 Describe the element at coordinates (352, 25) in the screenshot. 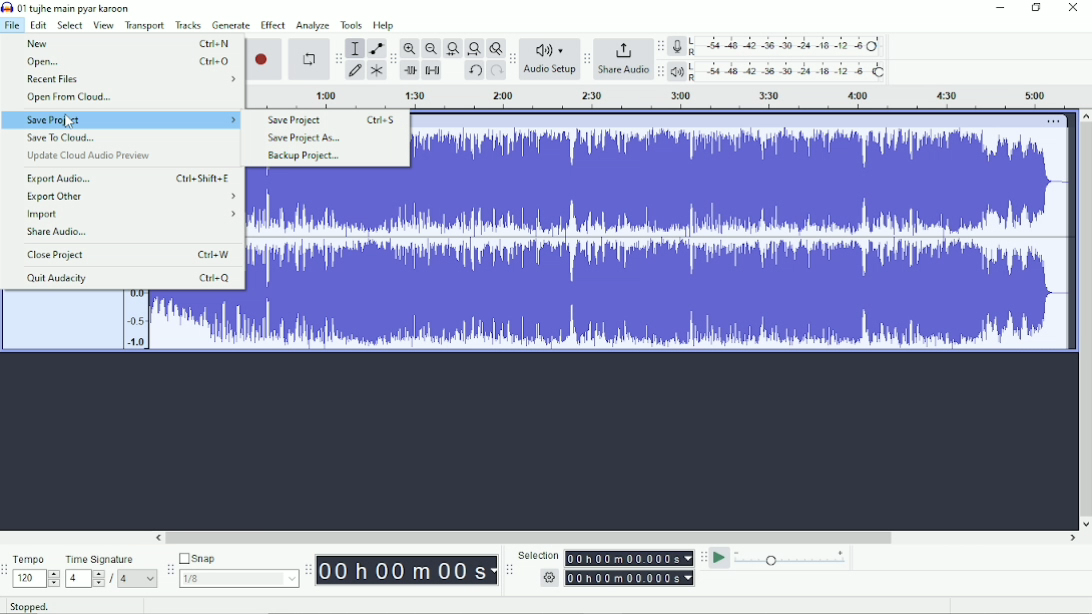

I see `Tools` at that location.